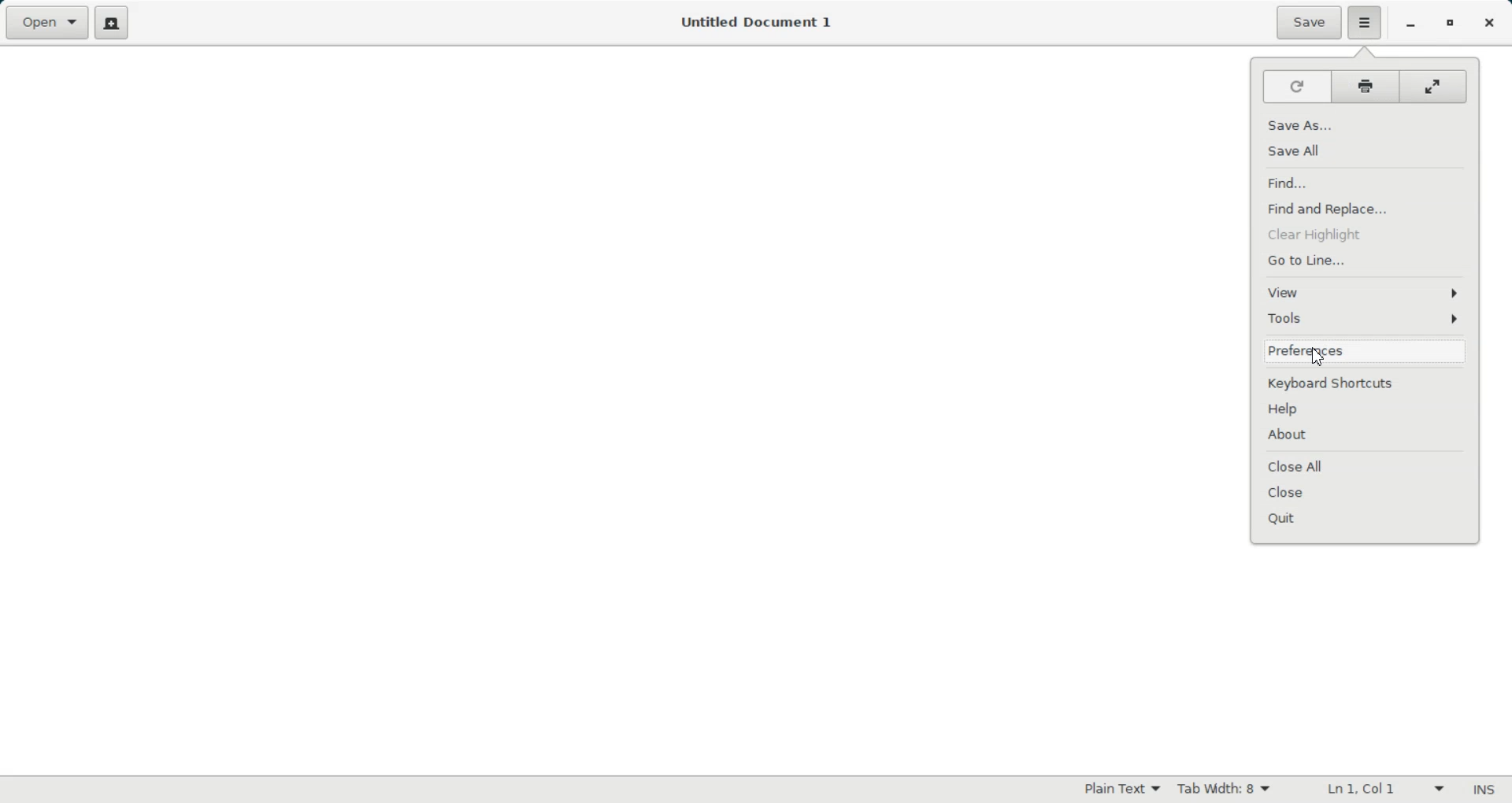  What do you see at coordinates (1366, 520) in the screenshot?
I see `Quit` at bounding box center [1366, 520].